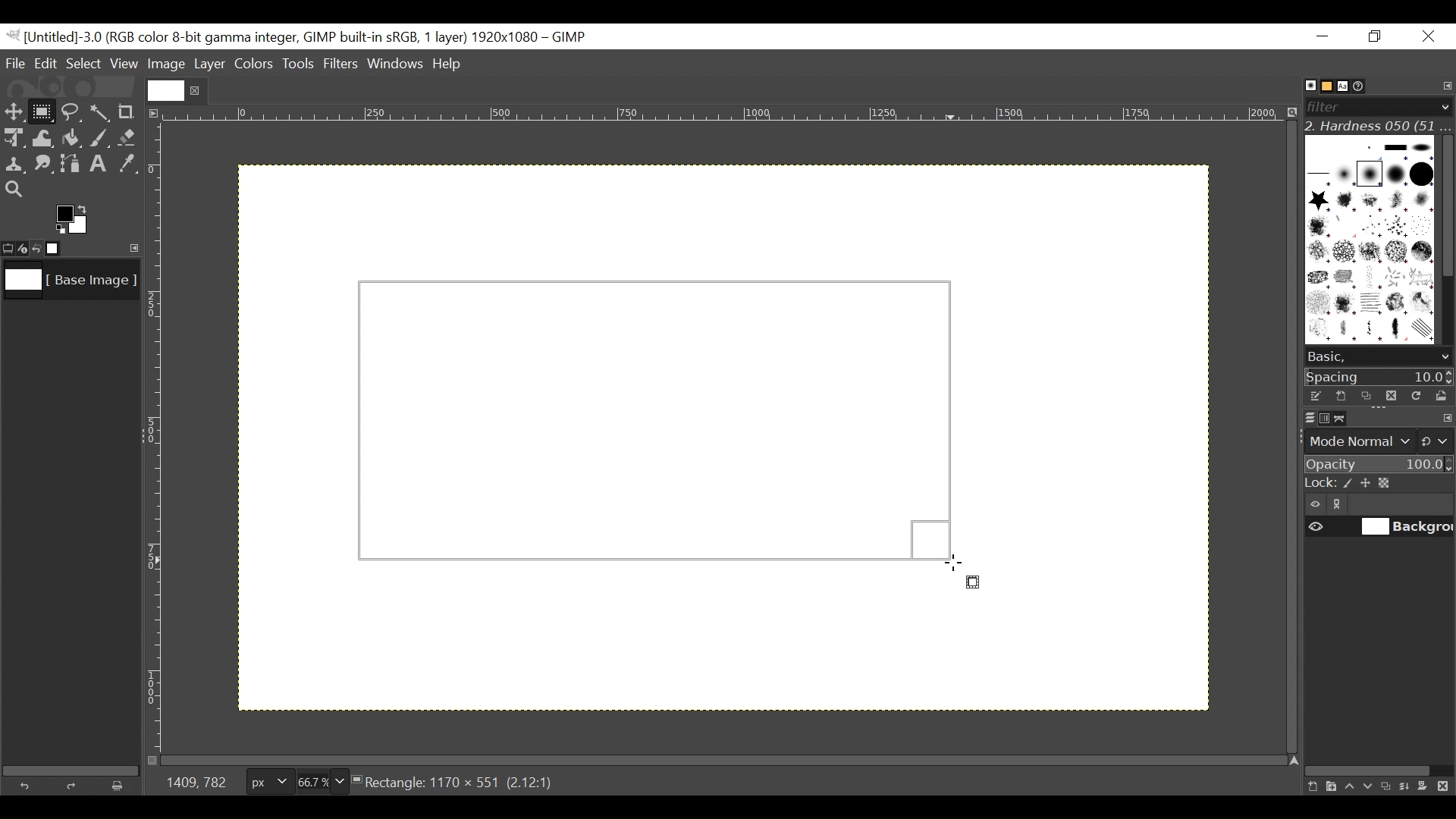 Image resolution: width=1456 pixels, height=819 pixels. I want to click on Opacity, so click(1377, 465).